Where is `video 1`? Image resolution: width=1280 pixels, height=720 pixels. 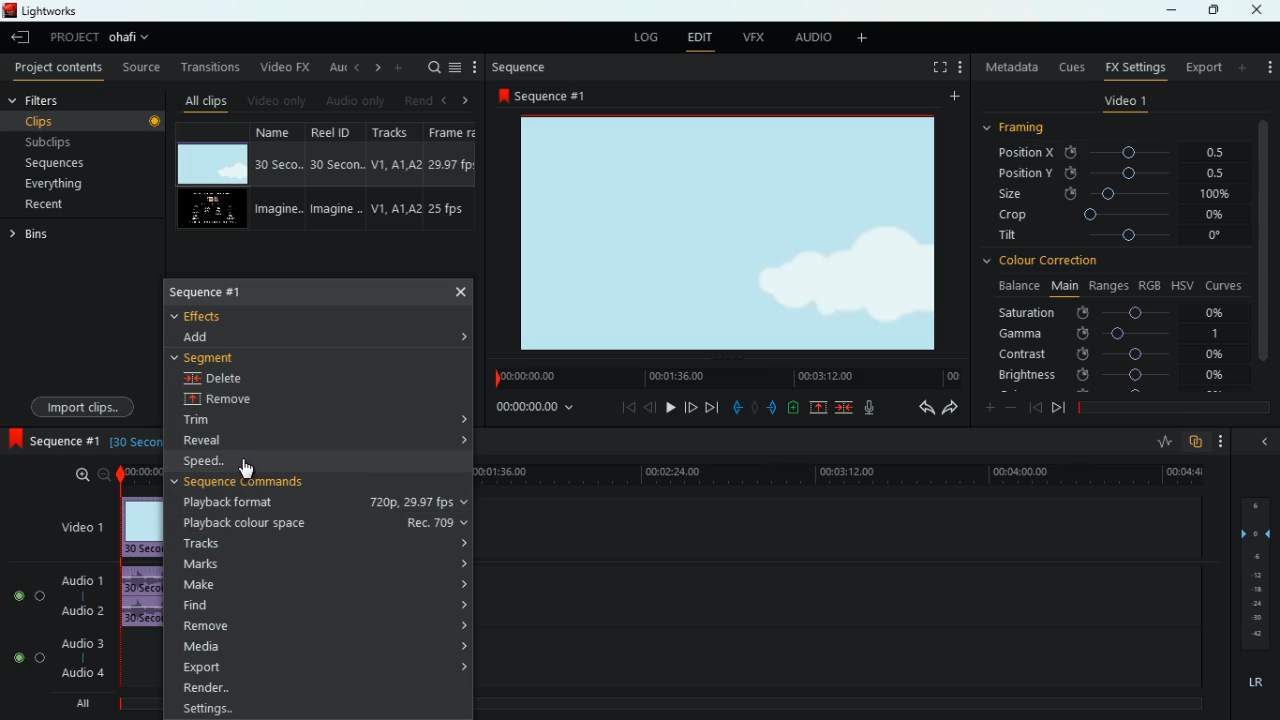 video 1 is located at coordinates (84, 526).